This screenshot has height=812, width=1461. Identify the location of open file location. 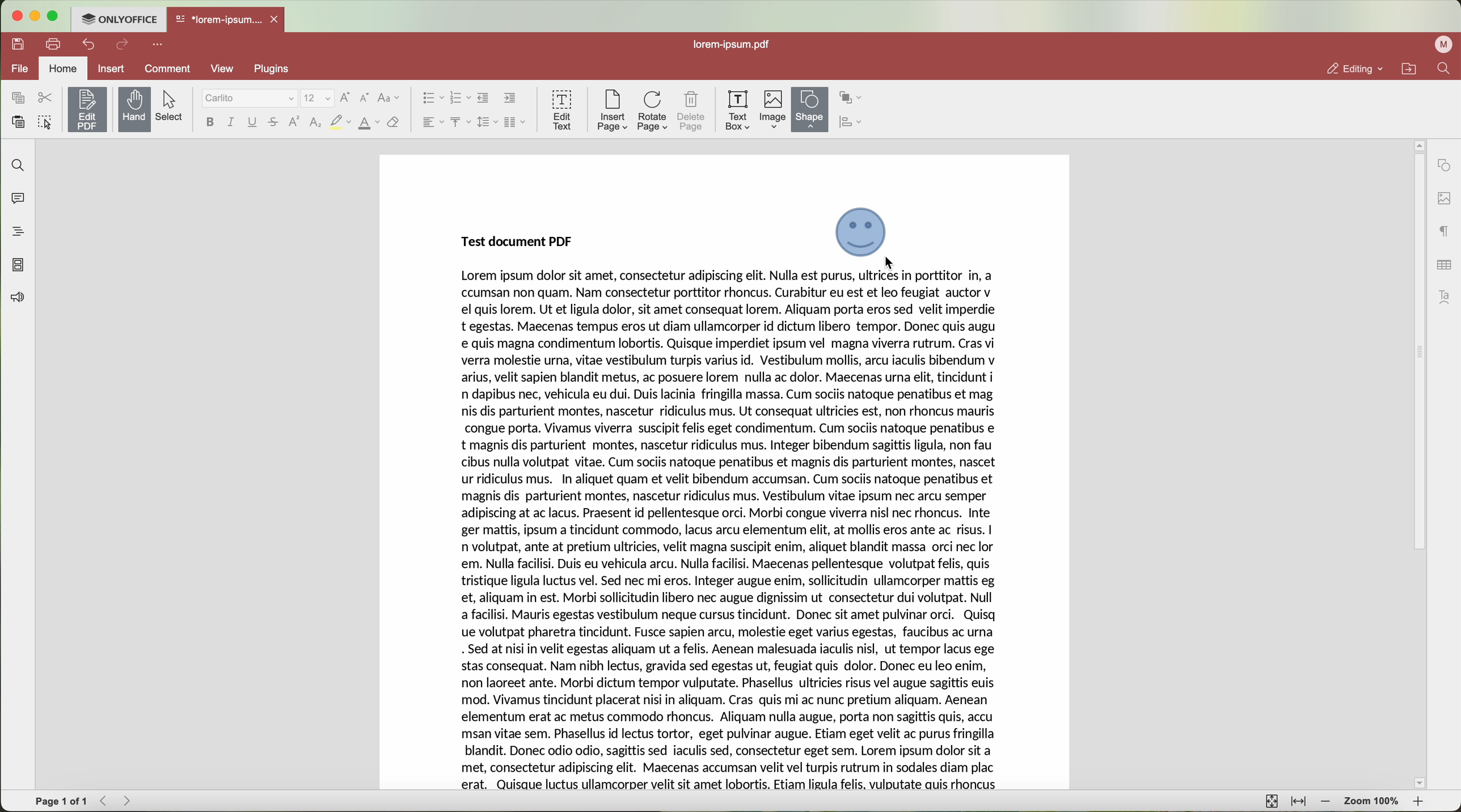
(1409, 69).